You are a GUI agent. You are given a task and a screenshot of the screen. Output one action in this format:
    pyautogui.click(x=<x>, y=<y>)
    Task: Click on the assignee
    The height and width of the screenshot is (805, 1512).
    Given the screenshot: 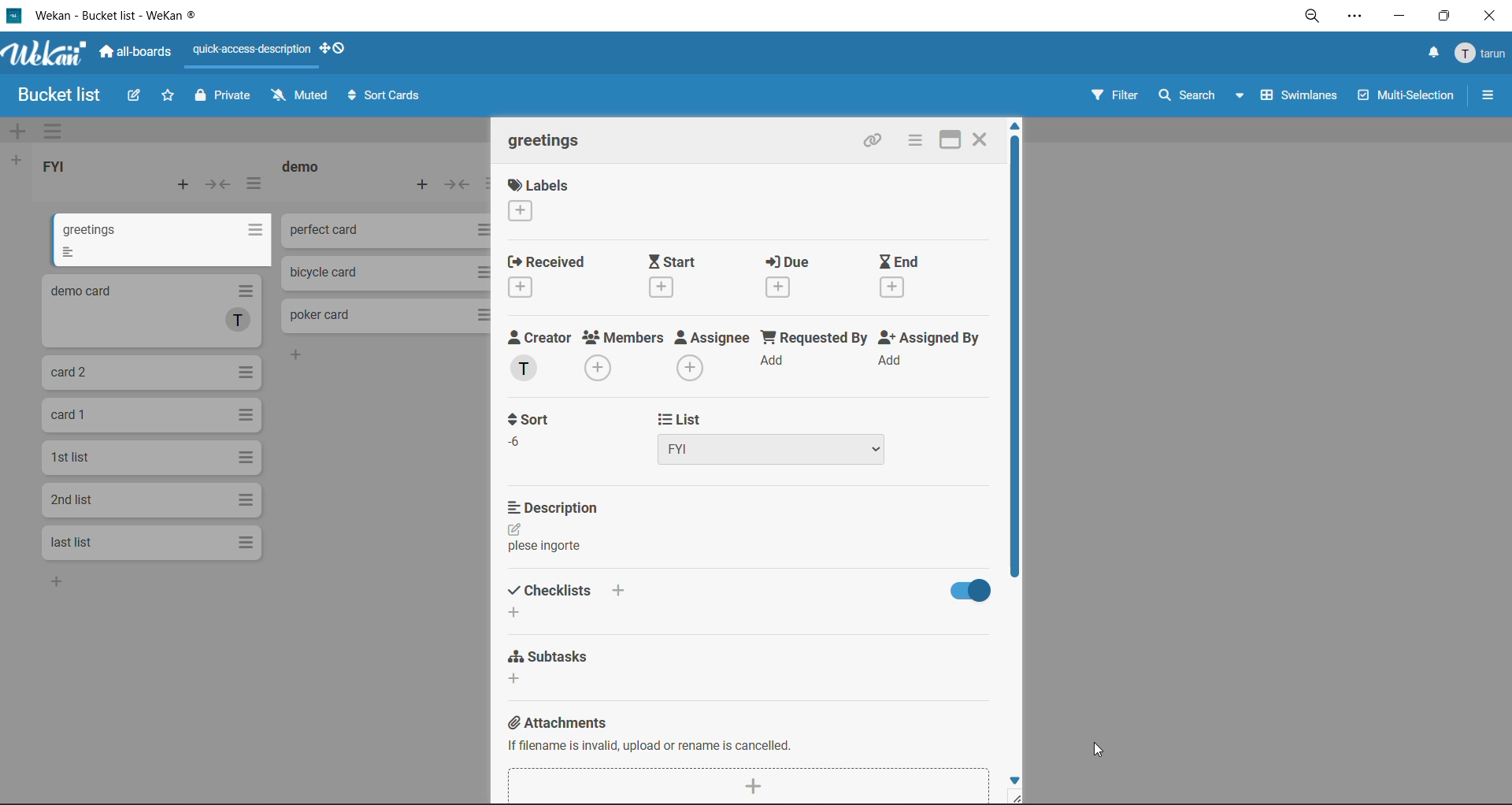 What is the action you would take?
    pyautogui.click(x=711, y=355)
    